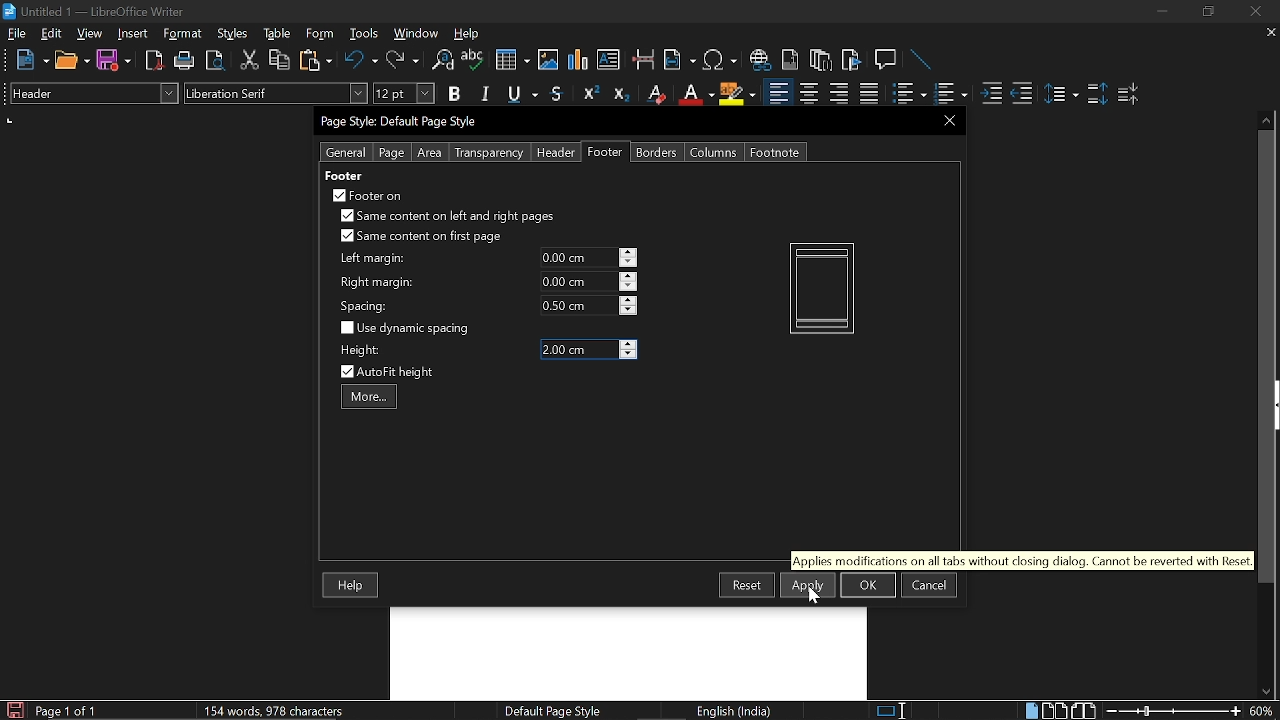 This screenshot has width=1280, height=720. I want to click on Insert field, so click(680, 61).